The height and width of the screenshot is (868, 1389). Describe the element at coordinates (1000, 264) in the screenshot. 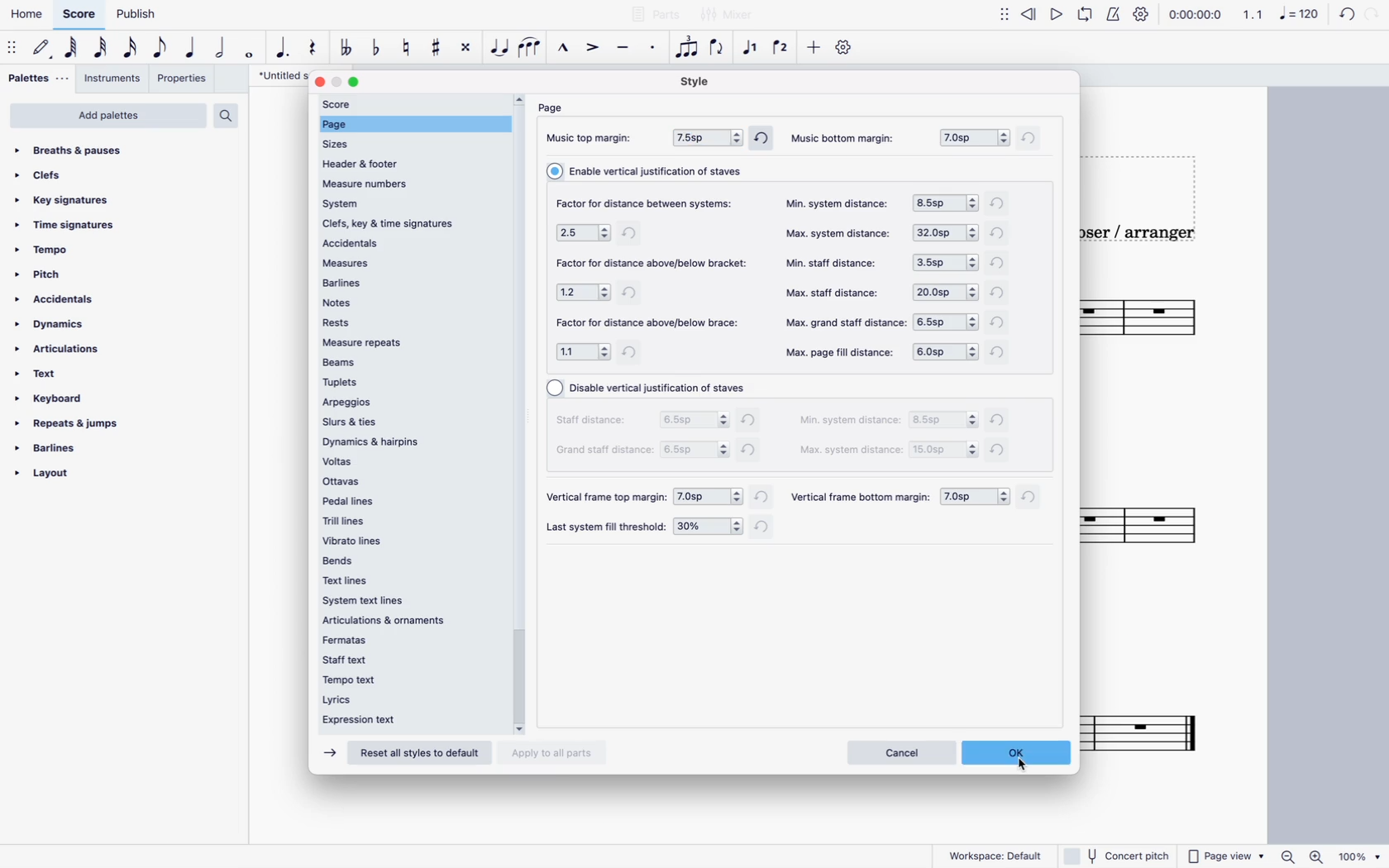

I see `refresh` at that location.